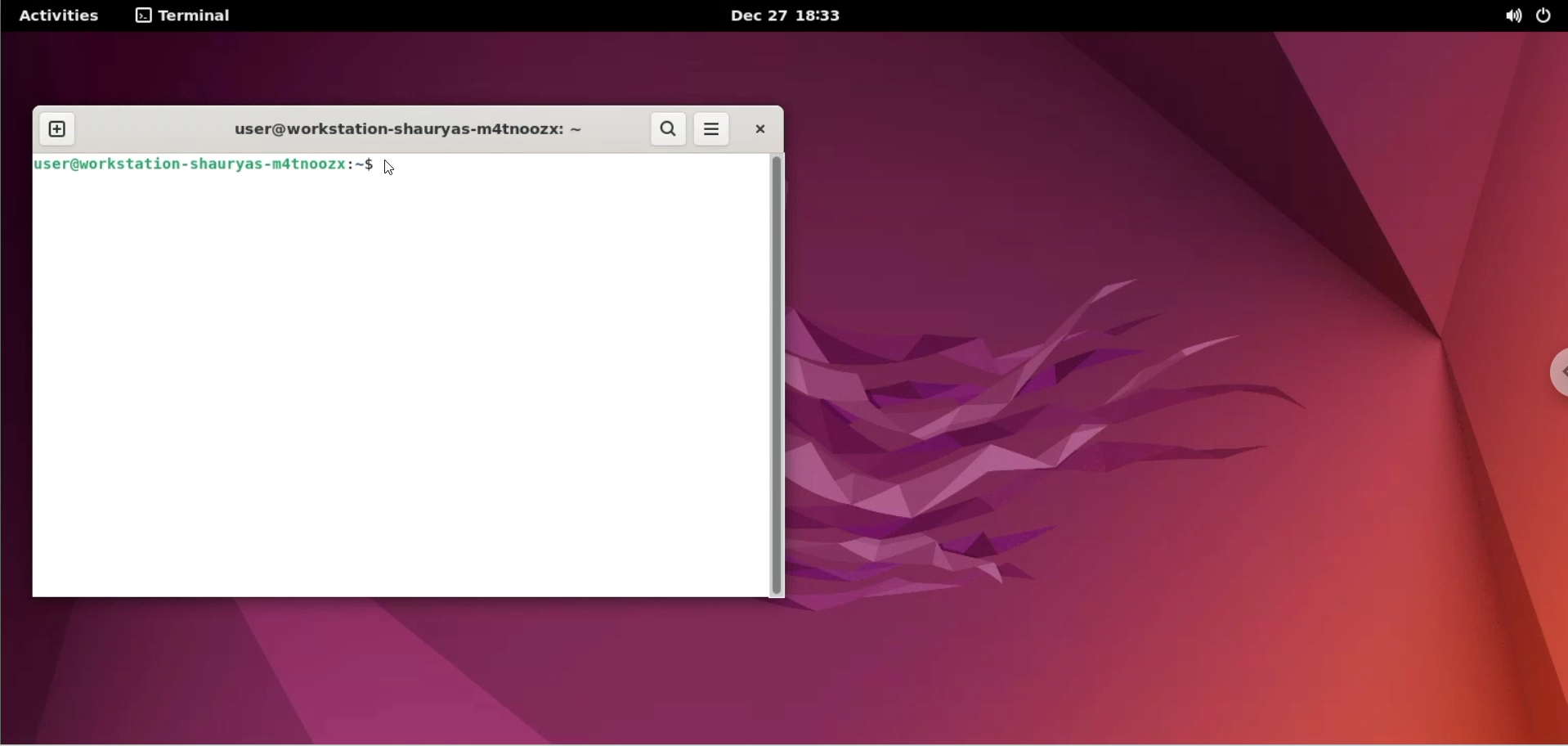  What do you see at coordinates (1552, 376) in the screenshot?
I see `chrome options` at bounding box center [1552, 376].